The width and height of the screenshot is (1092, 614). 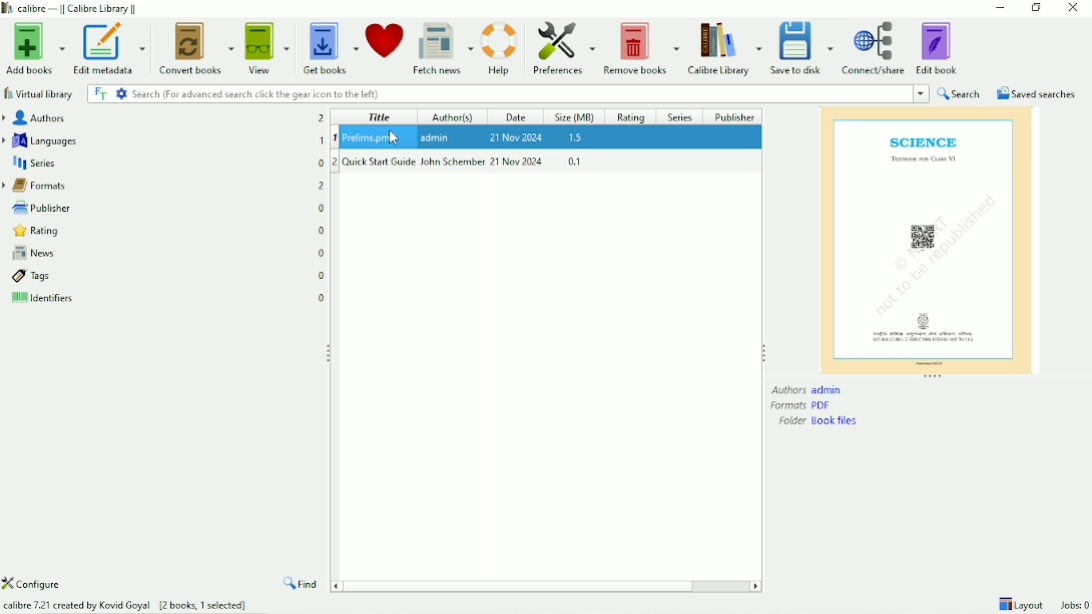 I want to click on 0, so click(x=322, y=253).